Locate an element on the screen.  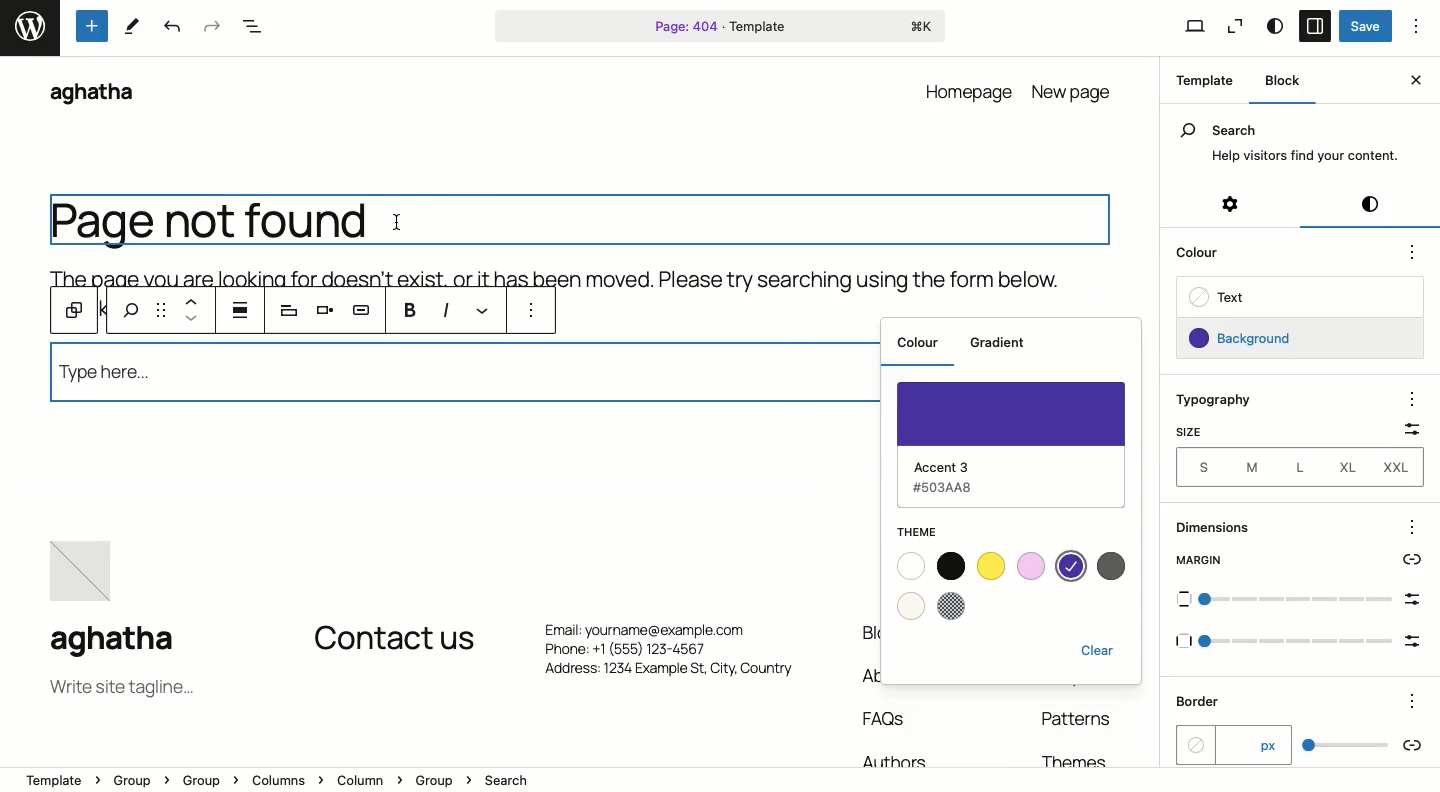
options is located at coordinates (1412, 528).